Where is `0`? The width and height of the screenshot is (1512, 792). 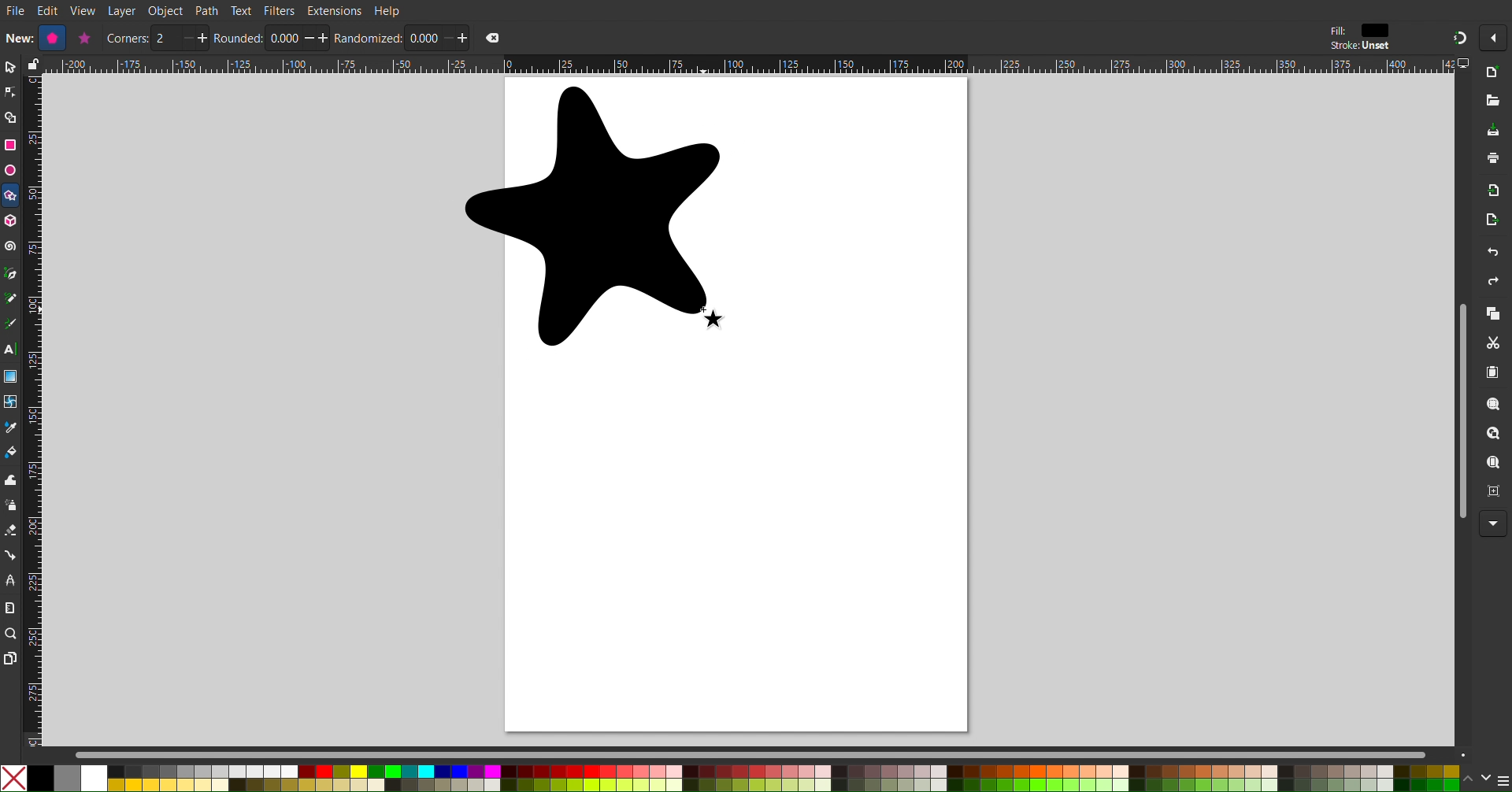 0 is located at coordinates (283, 39).